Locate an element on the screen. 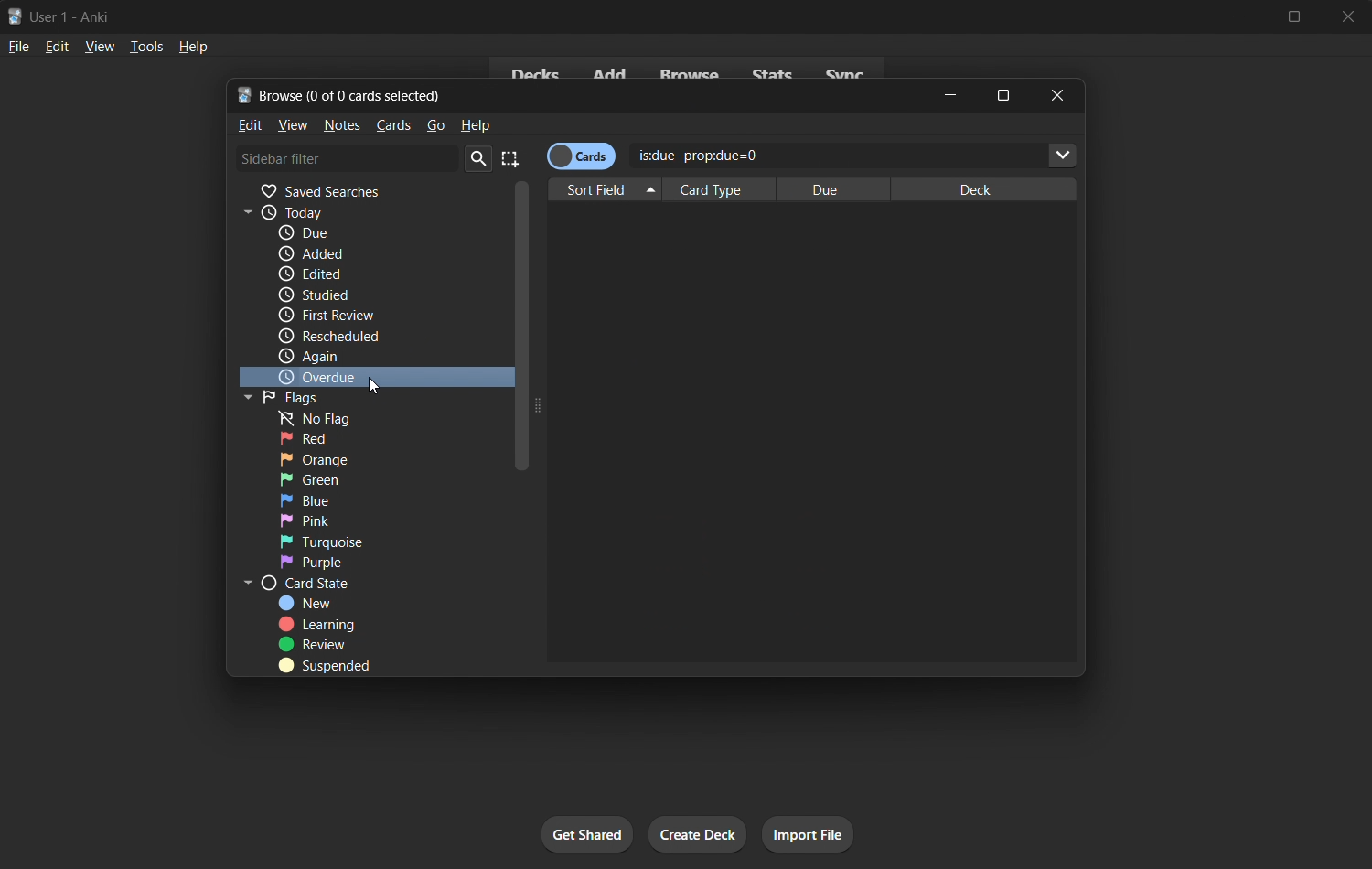 This screenshot has height=869, width=1372. review  is located at coordinates (312, 644).